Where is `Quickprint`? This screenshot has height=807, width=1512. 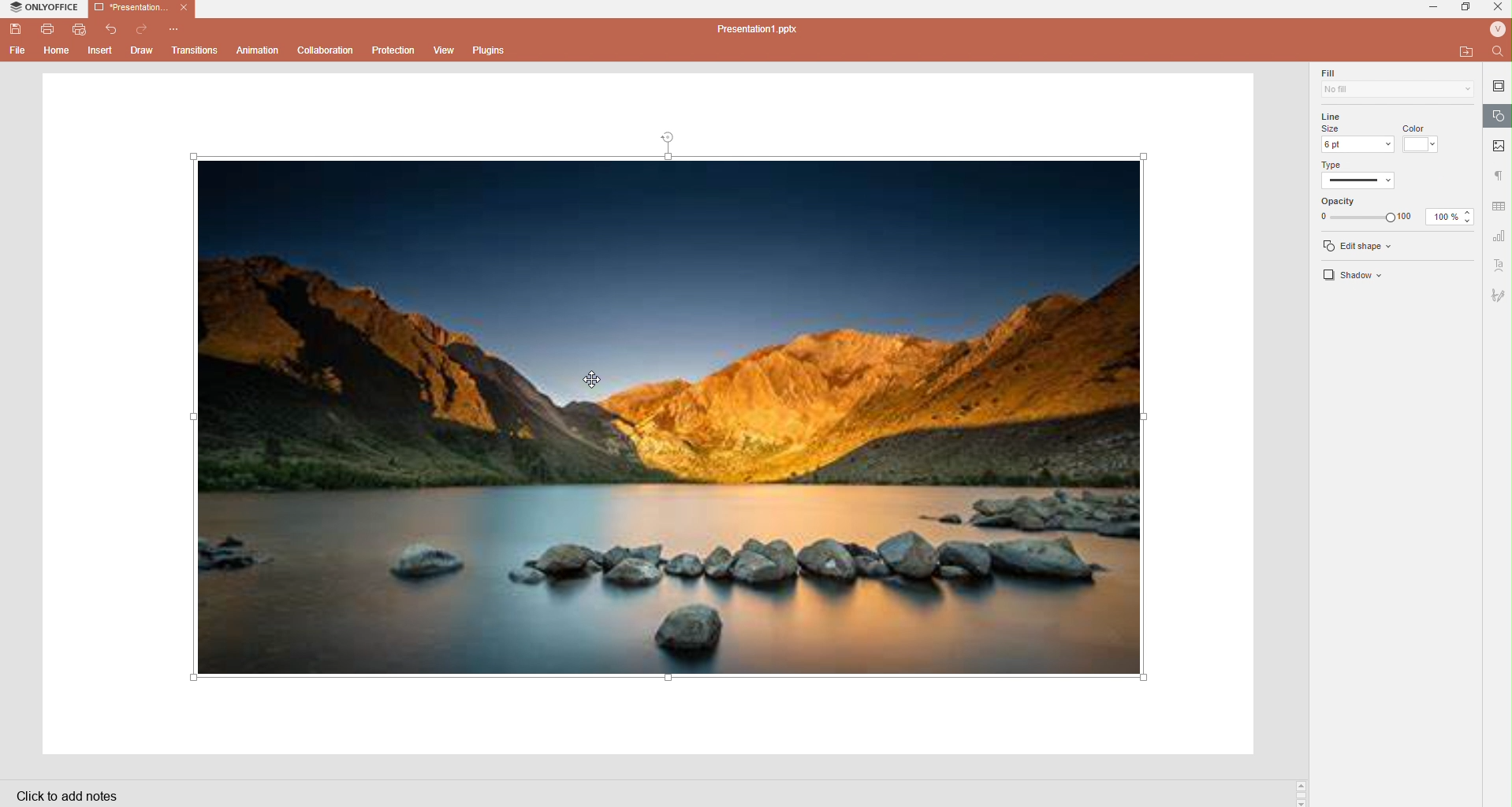
Quickprint is located at coordinates (80, 31).